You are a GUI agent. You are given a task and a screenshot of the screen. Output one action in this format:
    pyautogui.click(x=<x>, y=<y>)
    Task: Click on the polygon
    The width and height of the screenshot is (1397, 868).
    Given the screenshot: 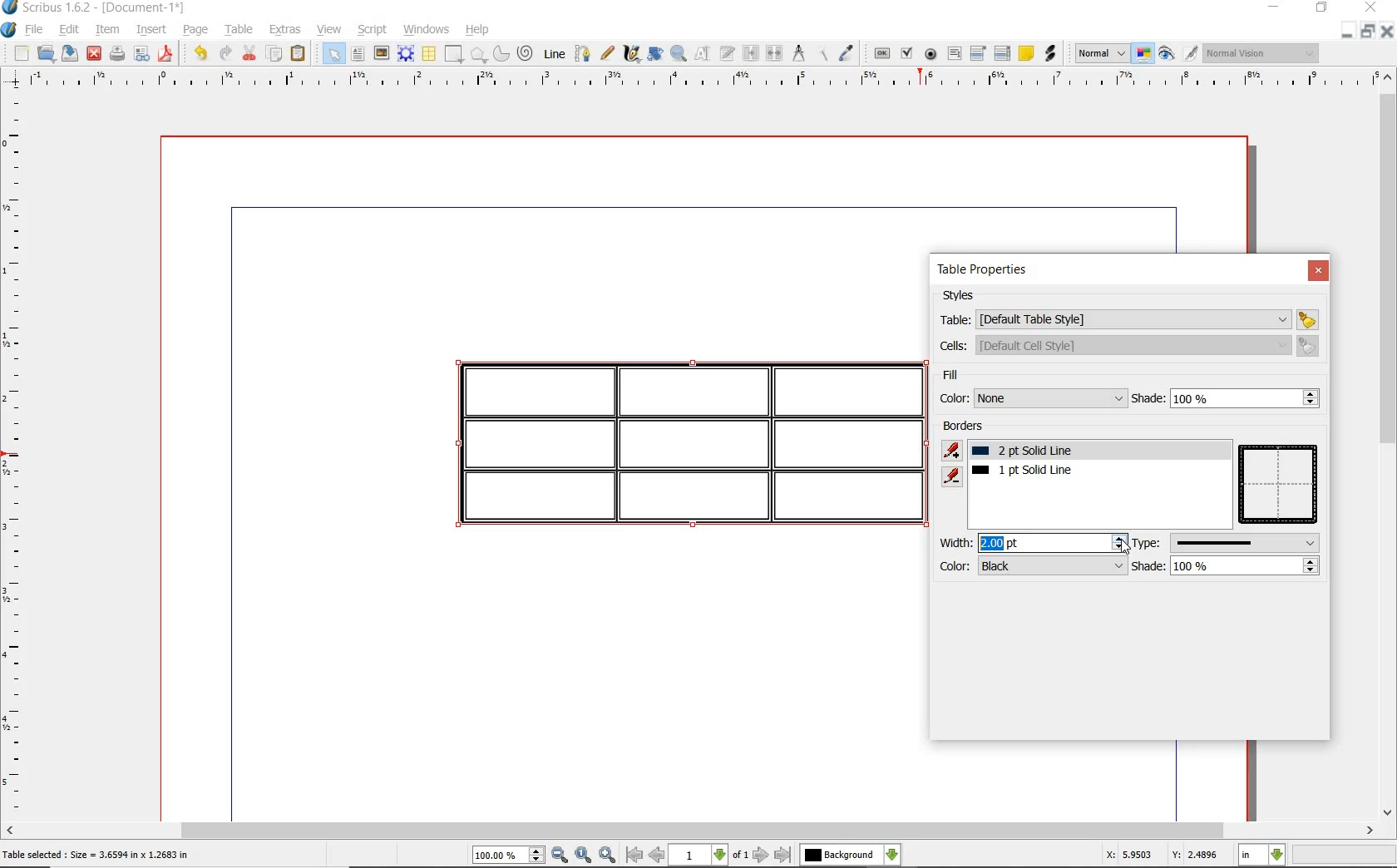 What is the action you would take?
    pyautogui.click(x=479, y=55)
    